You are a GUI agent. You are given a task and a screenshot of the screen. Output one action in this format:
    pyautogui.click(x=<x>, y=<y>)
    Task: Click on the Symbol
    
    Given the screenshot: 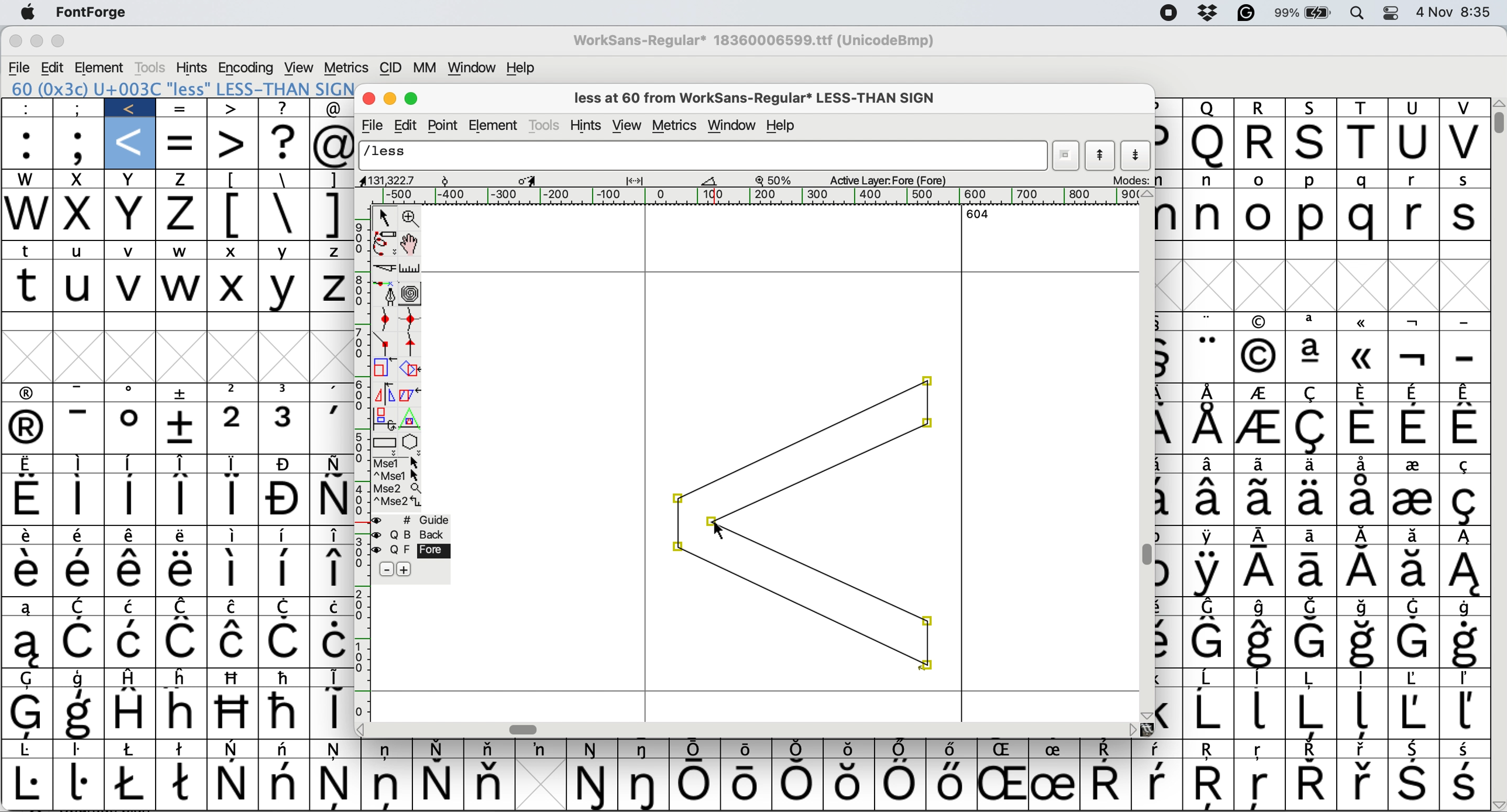 What is the action you would take?
    pyautogui.click(x=235, y=536)
    